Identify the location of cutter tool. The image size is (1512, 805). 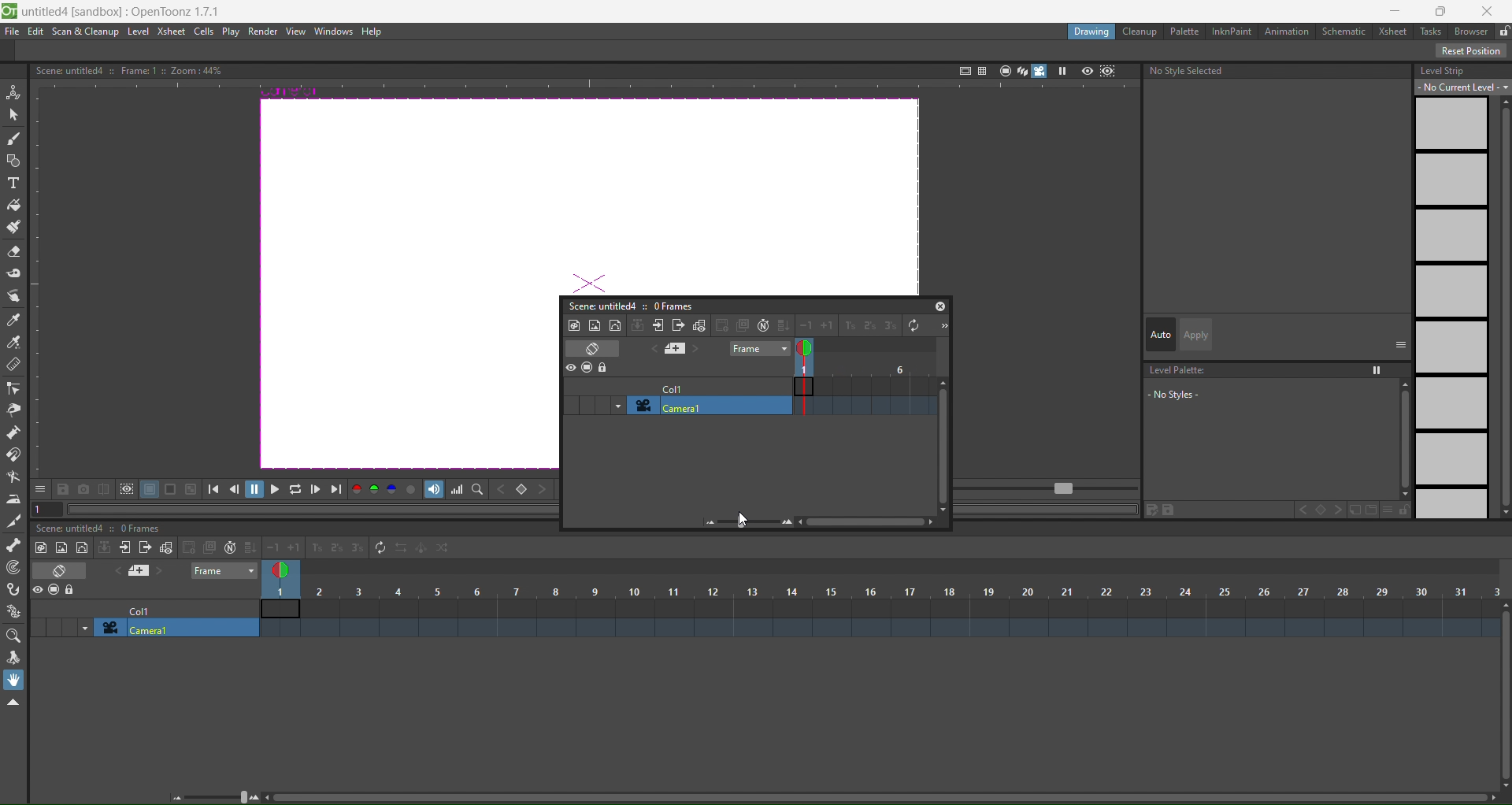
(13, 521).